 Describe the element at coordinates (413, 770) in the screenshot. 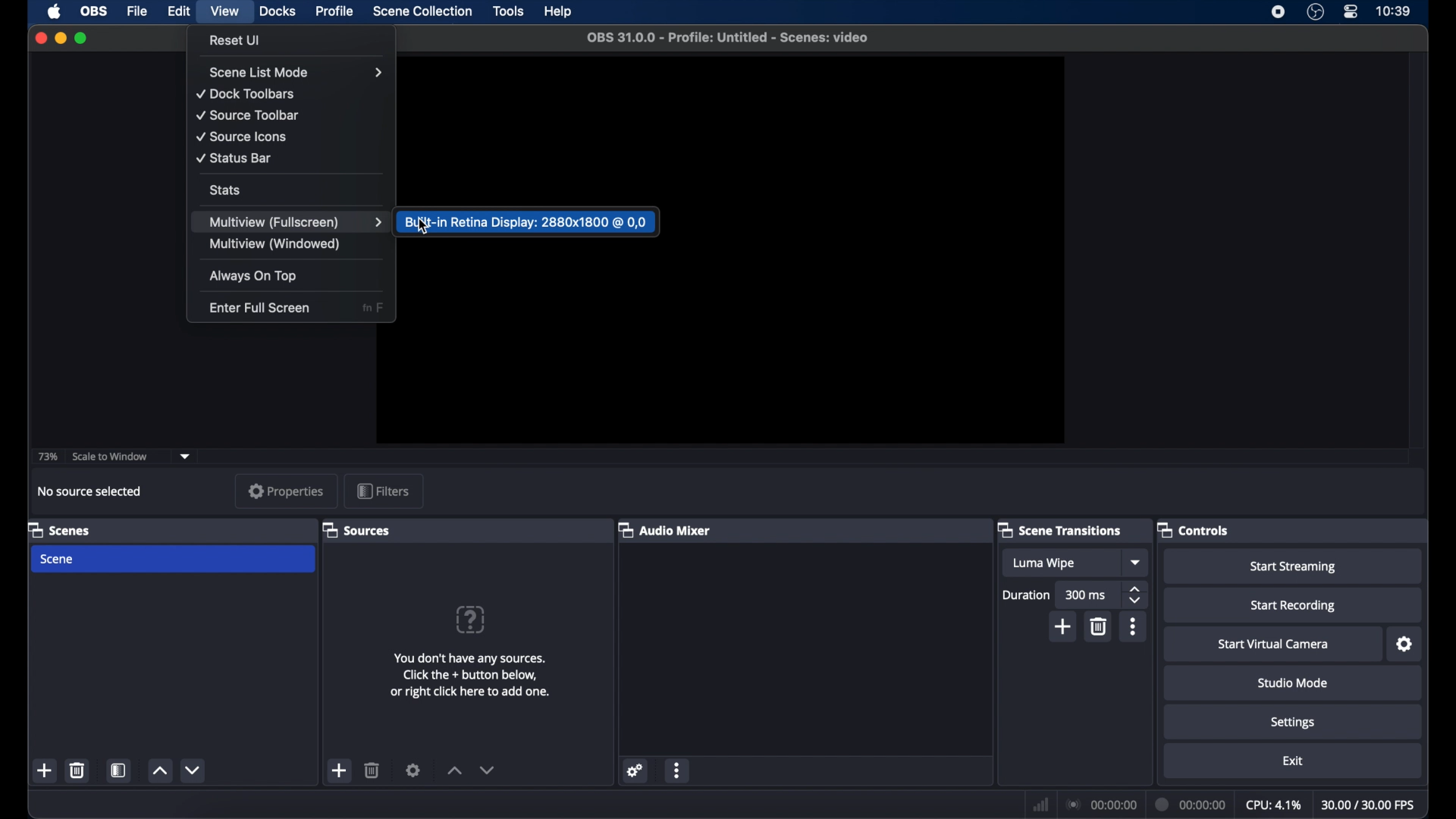

I see `settings` at that location.